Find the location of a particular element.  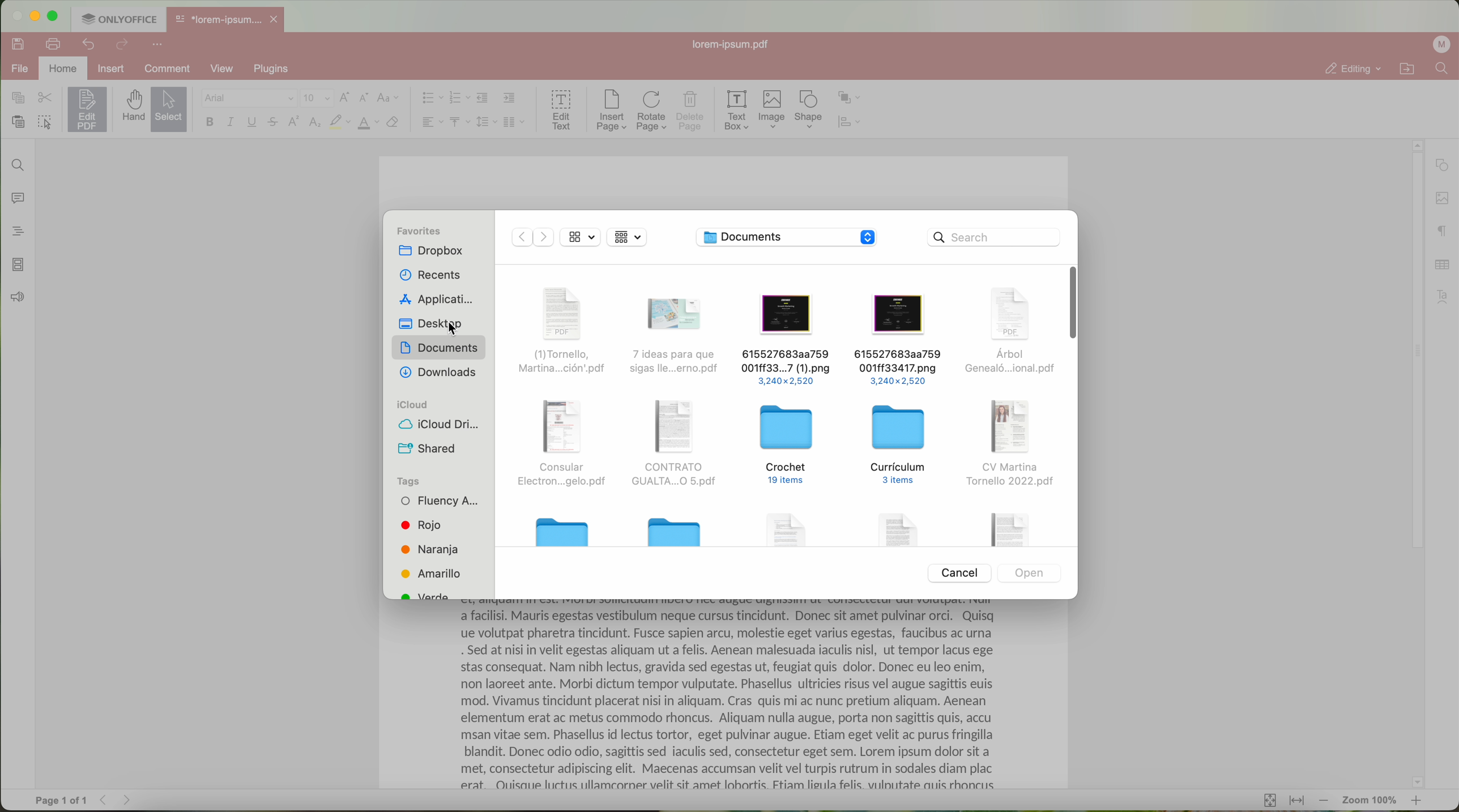

copy is located at coordinates (18, 98).